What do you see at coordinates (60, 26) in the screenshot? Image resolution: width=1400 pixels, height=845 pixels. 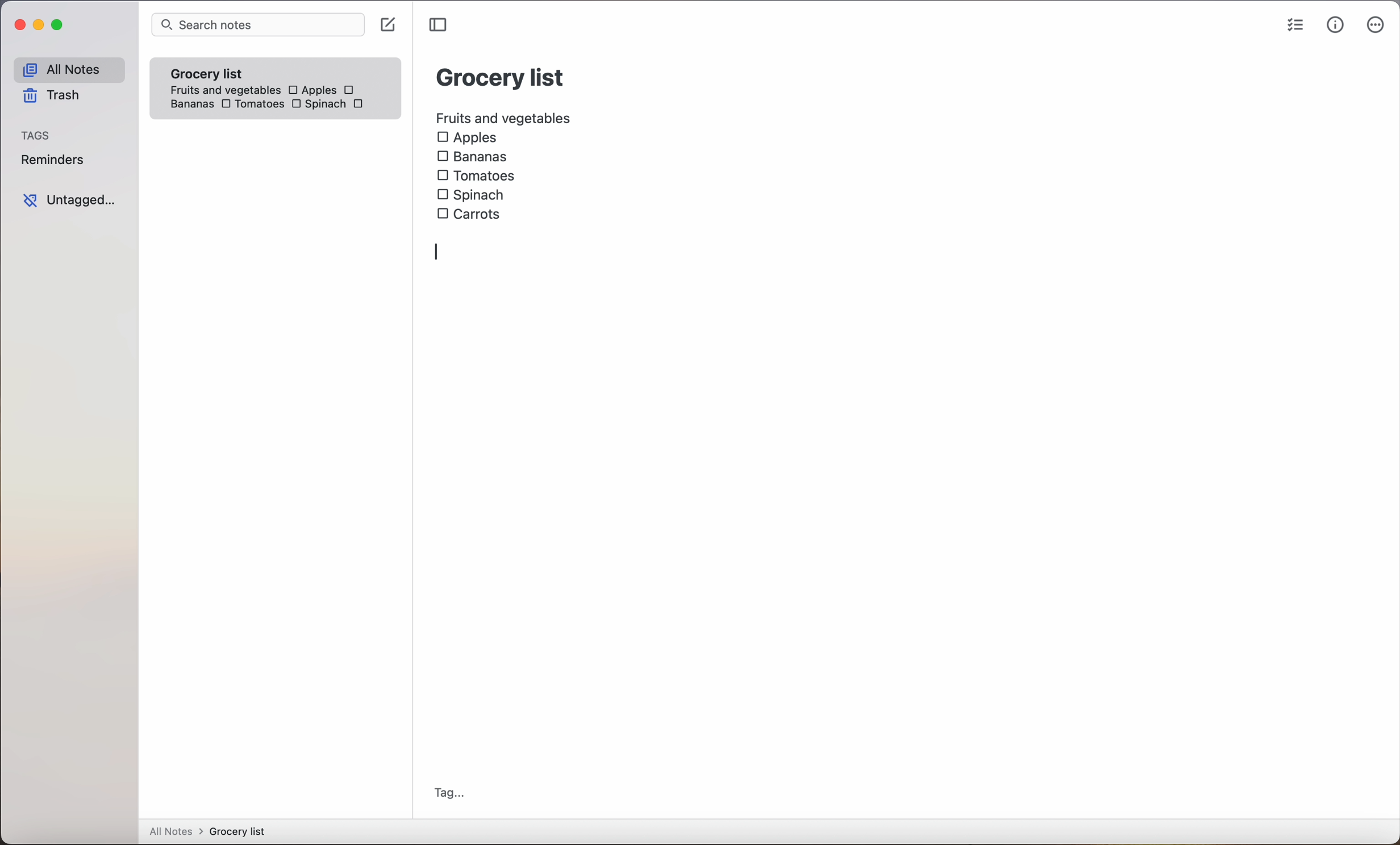 I see `maximize Simplenote` at bounding box center [60, 26].